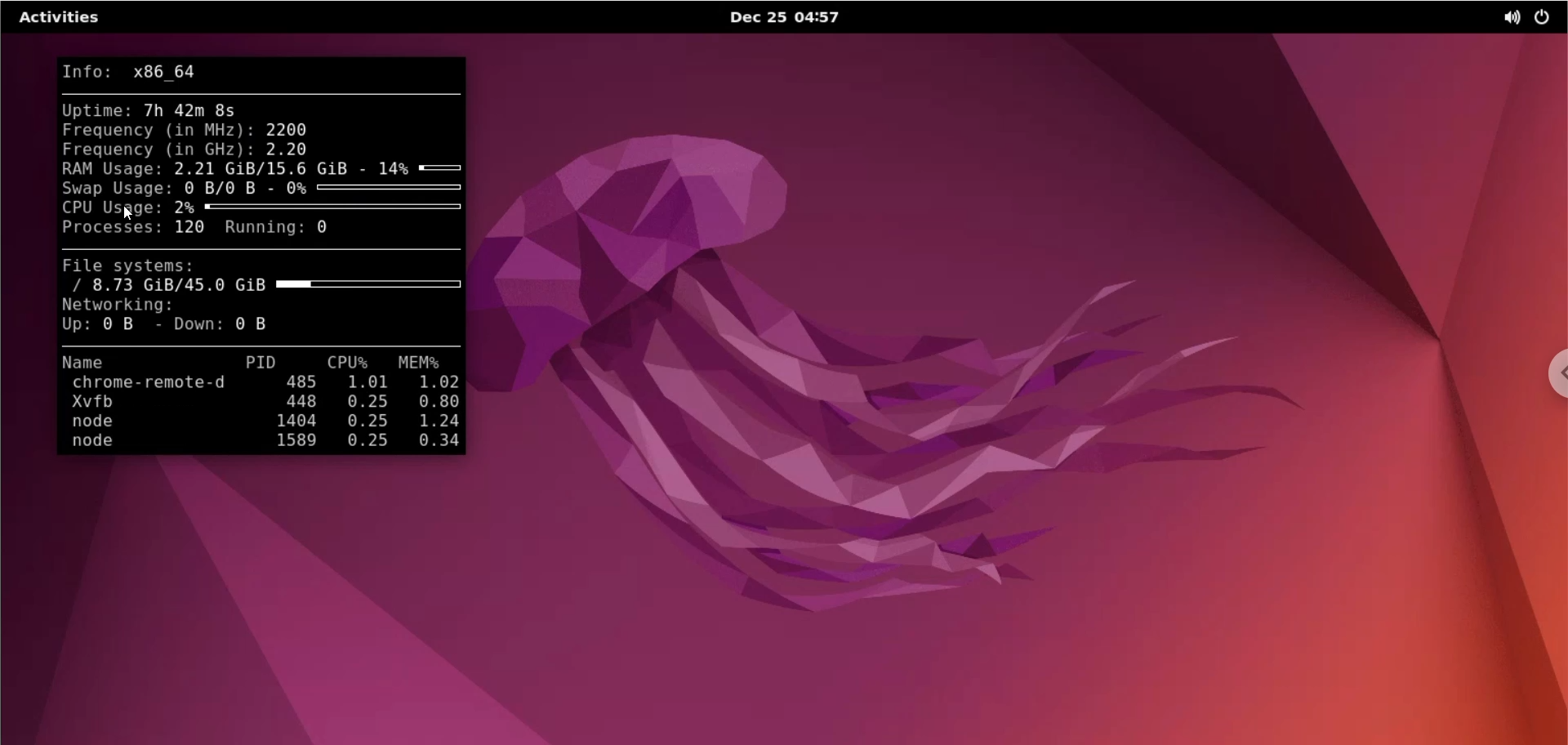 Image resolution: width=1568 pixels, height=745 pixels. What do you see at coordinates (424, 362) in the screenshot?
I see `memory usage ` at bounding box center [424, 362].